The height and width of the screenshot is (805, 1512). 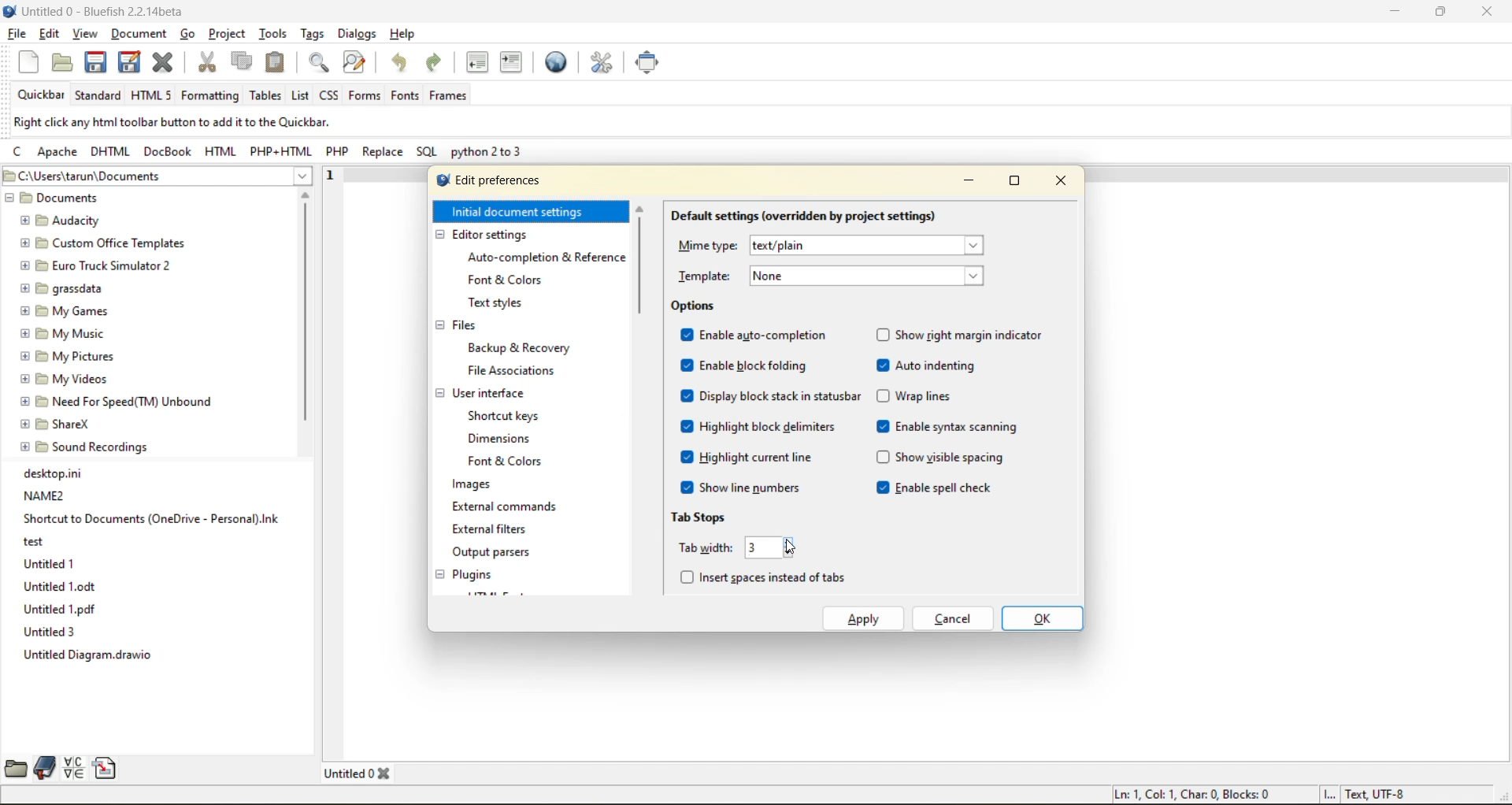 I want to click on # B My Pictures, so click(x=69, y=355).